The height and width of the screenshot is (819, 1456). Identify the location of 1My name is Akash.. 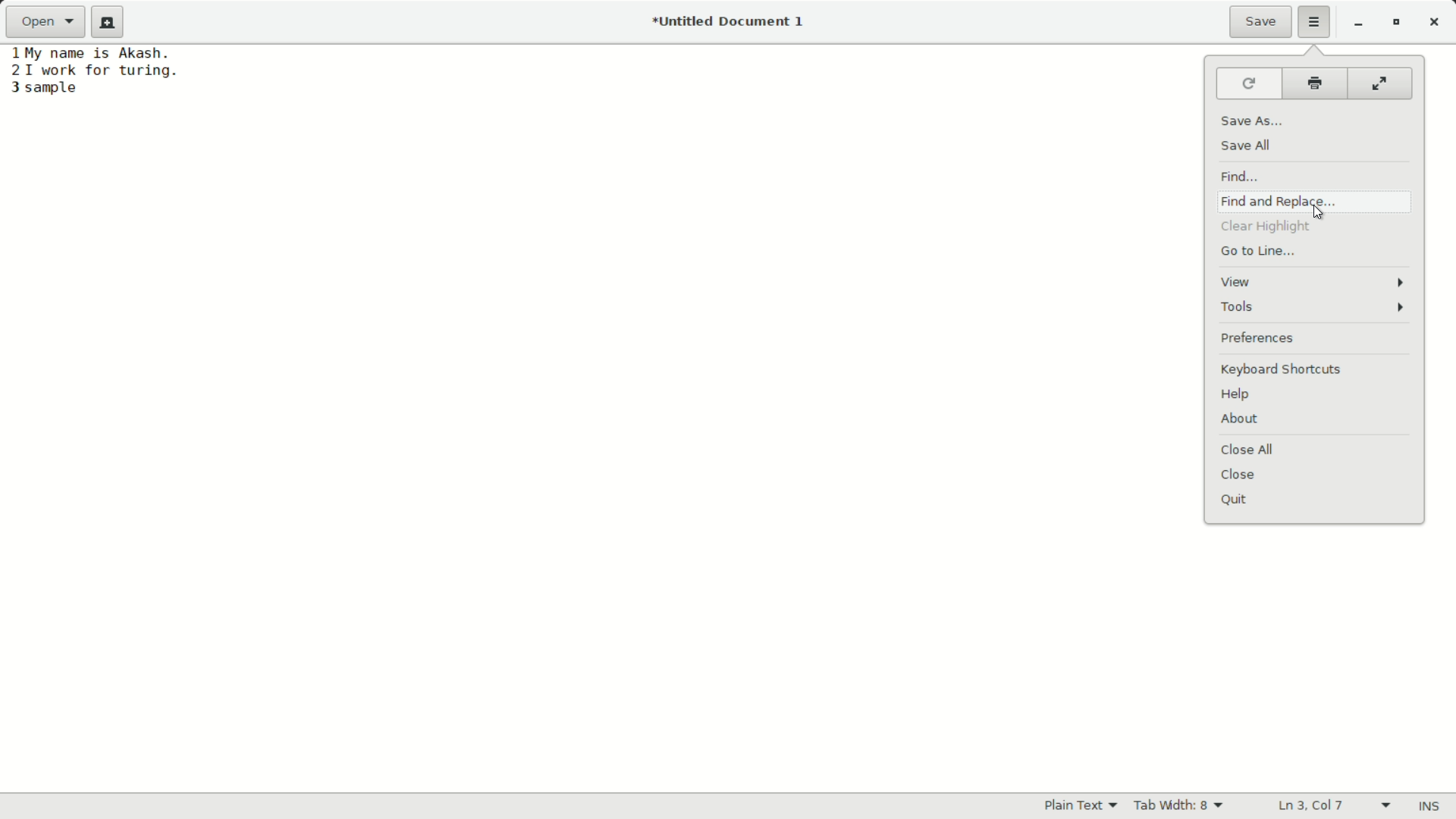
(93, 52).